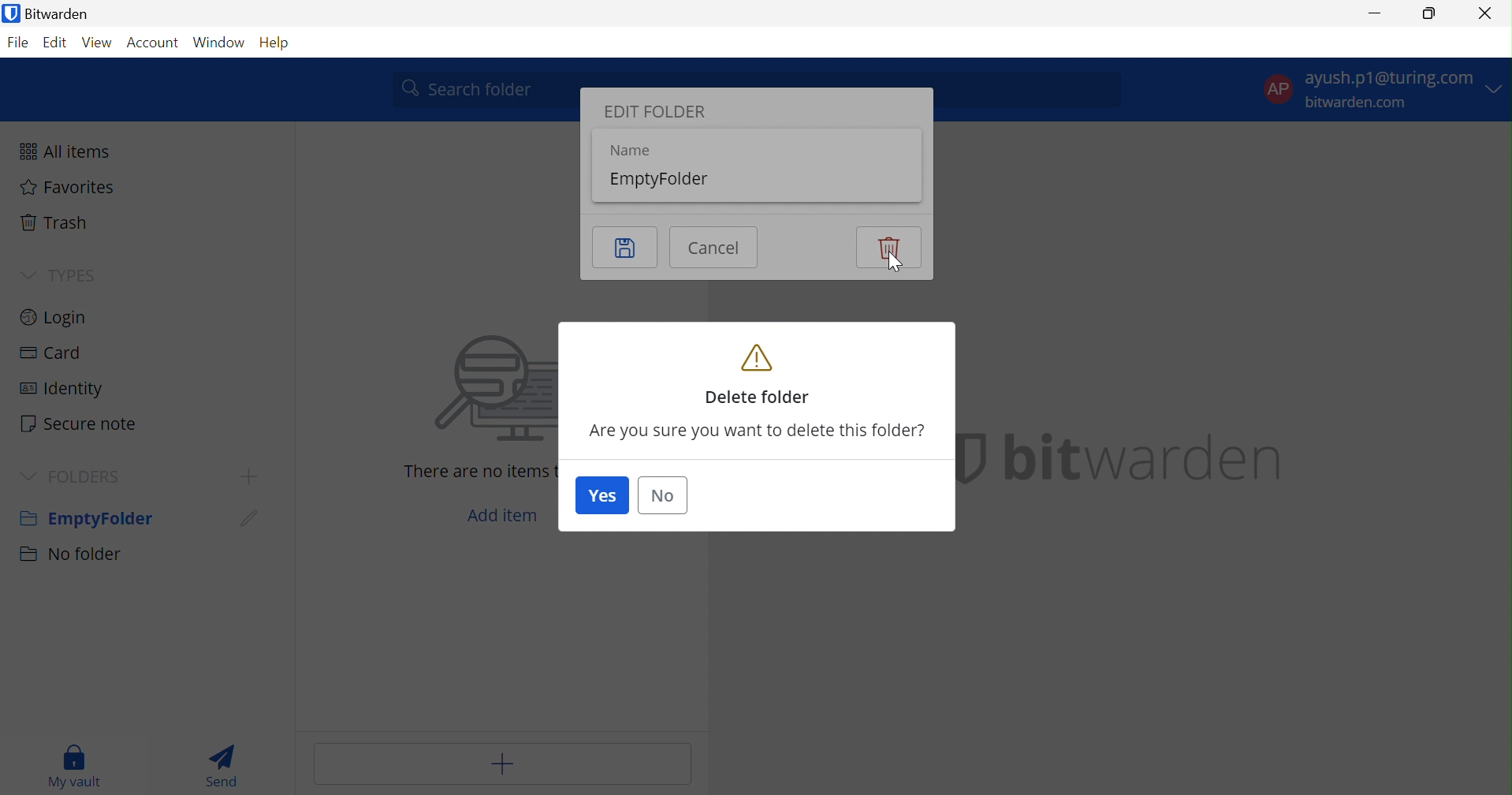  What do you see at coordinates (220, 43) in the screenshot?
I see `Window` at bounding box center [220, 43].